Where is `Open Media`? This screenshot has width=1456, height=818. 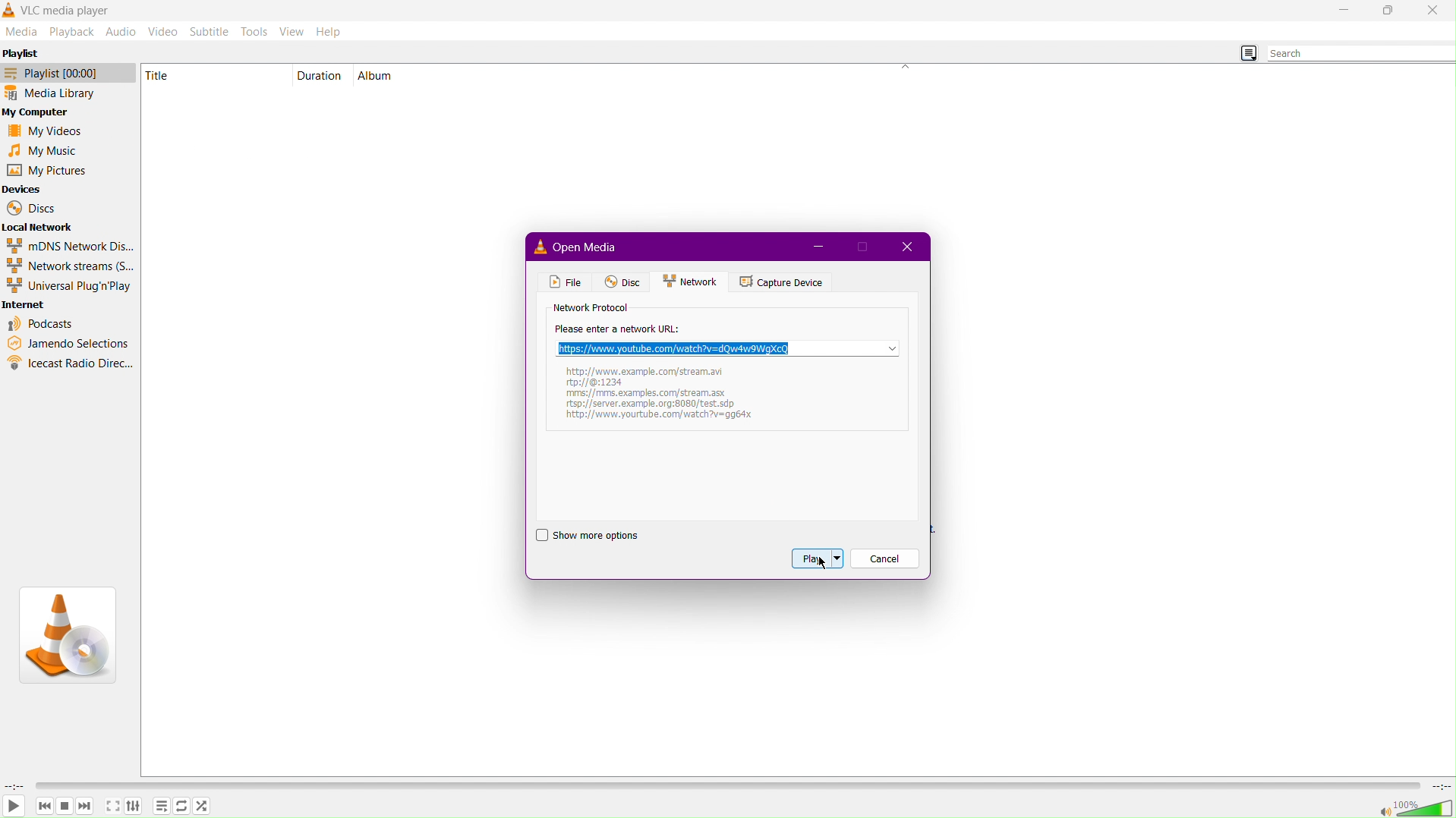
Open Media is located at coordinates (594, 249).